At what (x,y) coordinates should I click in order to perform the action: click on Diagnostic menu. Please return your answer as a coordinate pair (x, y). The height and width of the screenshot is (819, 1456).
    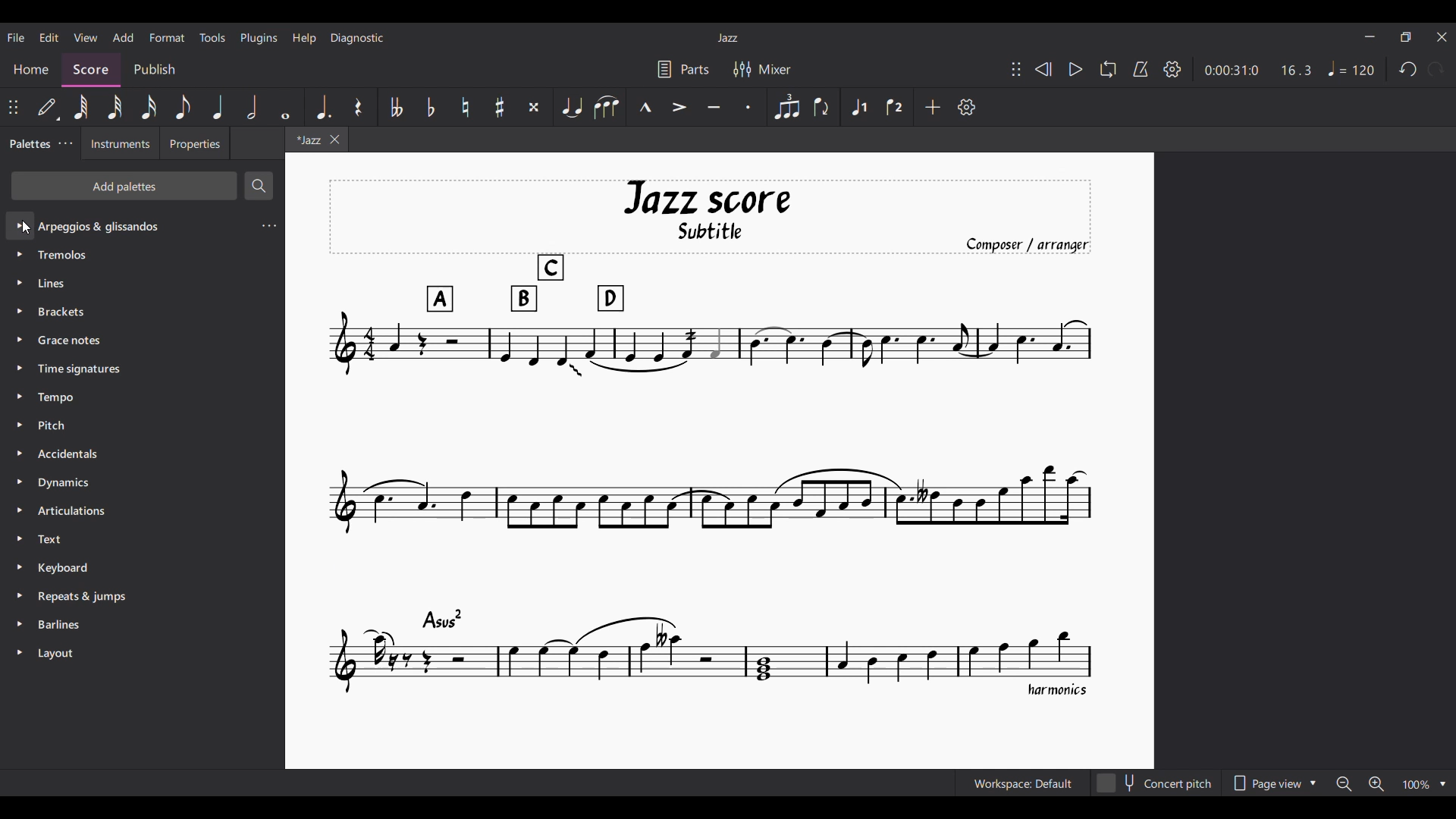
    Looking at the image, I should click on (356, 38).